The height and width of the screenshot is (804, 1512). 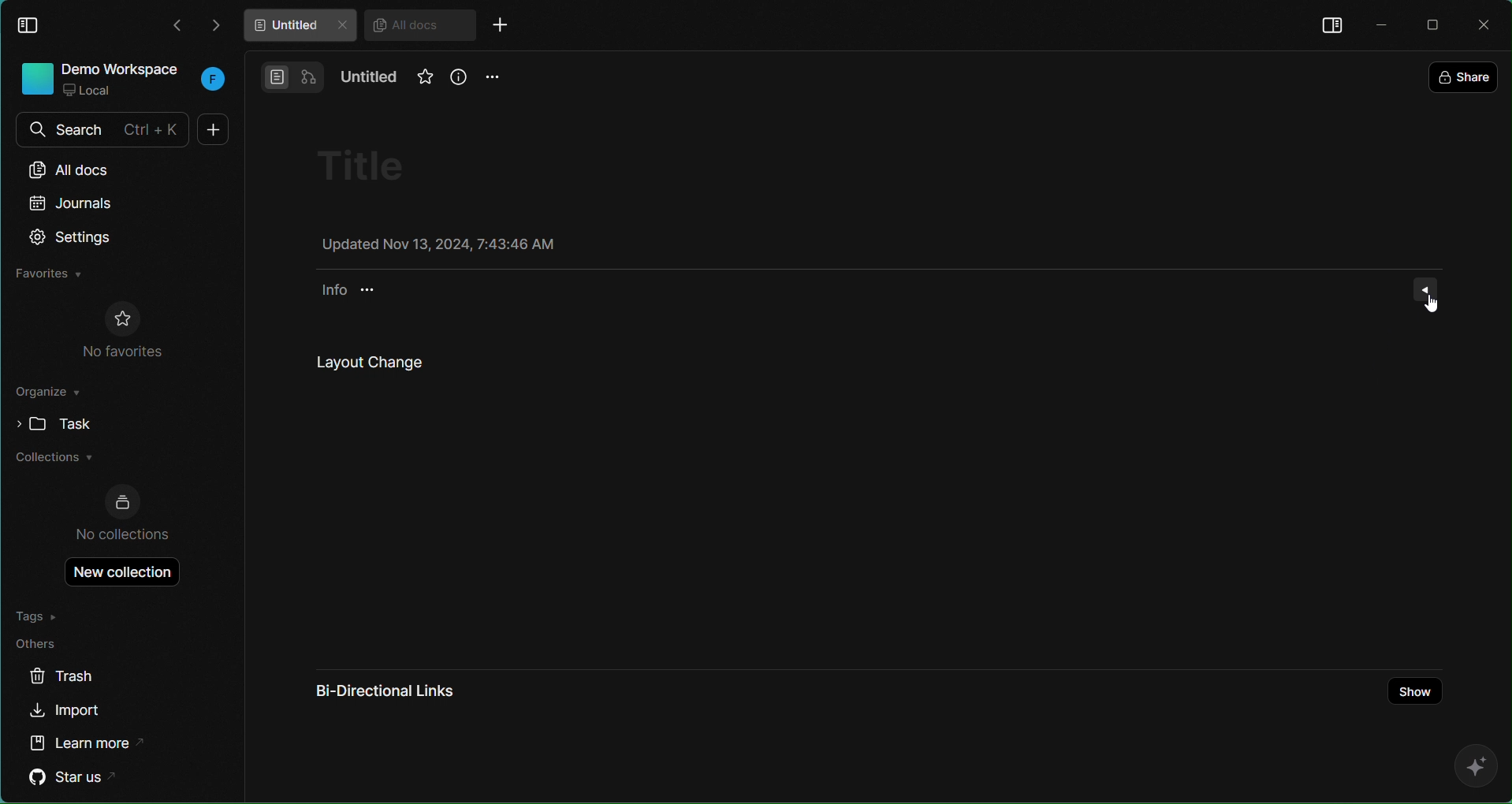 What do you see at coordinates (1380, 22) in the screenshot?
I see `minimize` at bounding box center [1380, 22].